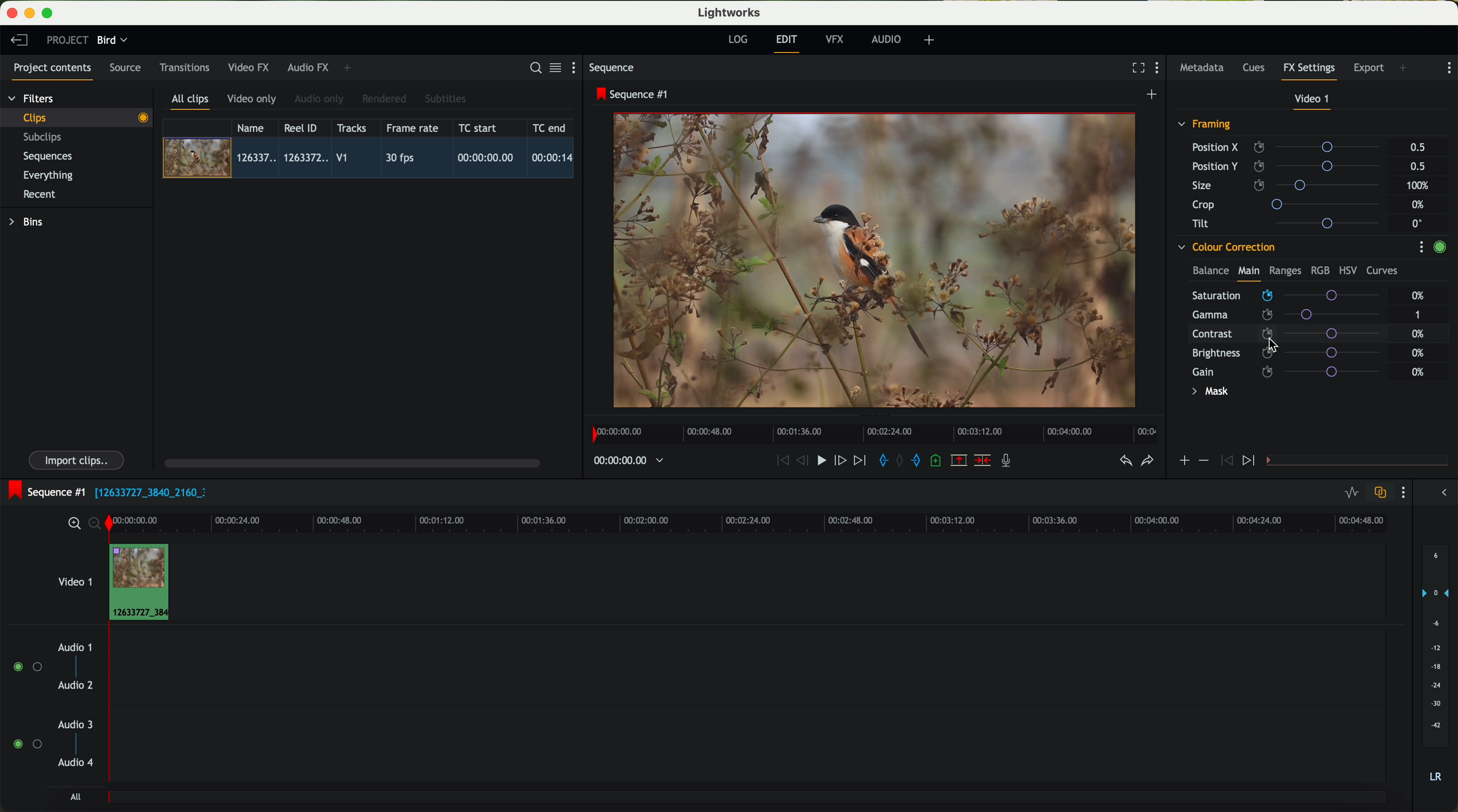  What do you see at coordinates (1225, 461) in the screenshot?
I see `icon` at bounding box center [1225, 461].